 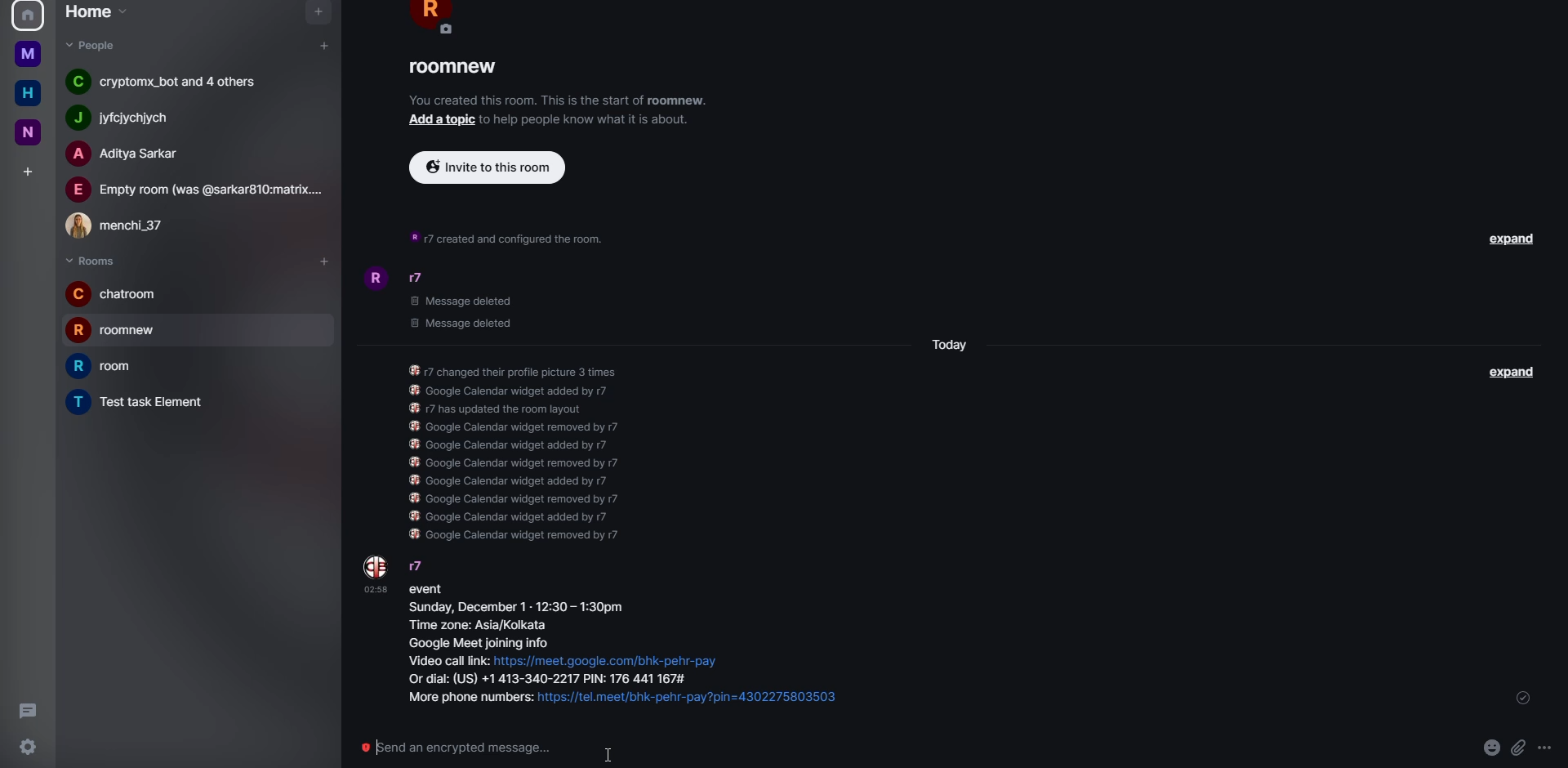 What do you see at coordinates (555, 100) in the screenshot?
I see `info` at bounding box center [555, 100].